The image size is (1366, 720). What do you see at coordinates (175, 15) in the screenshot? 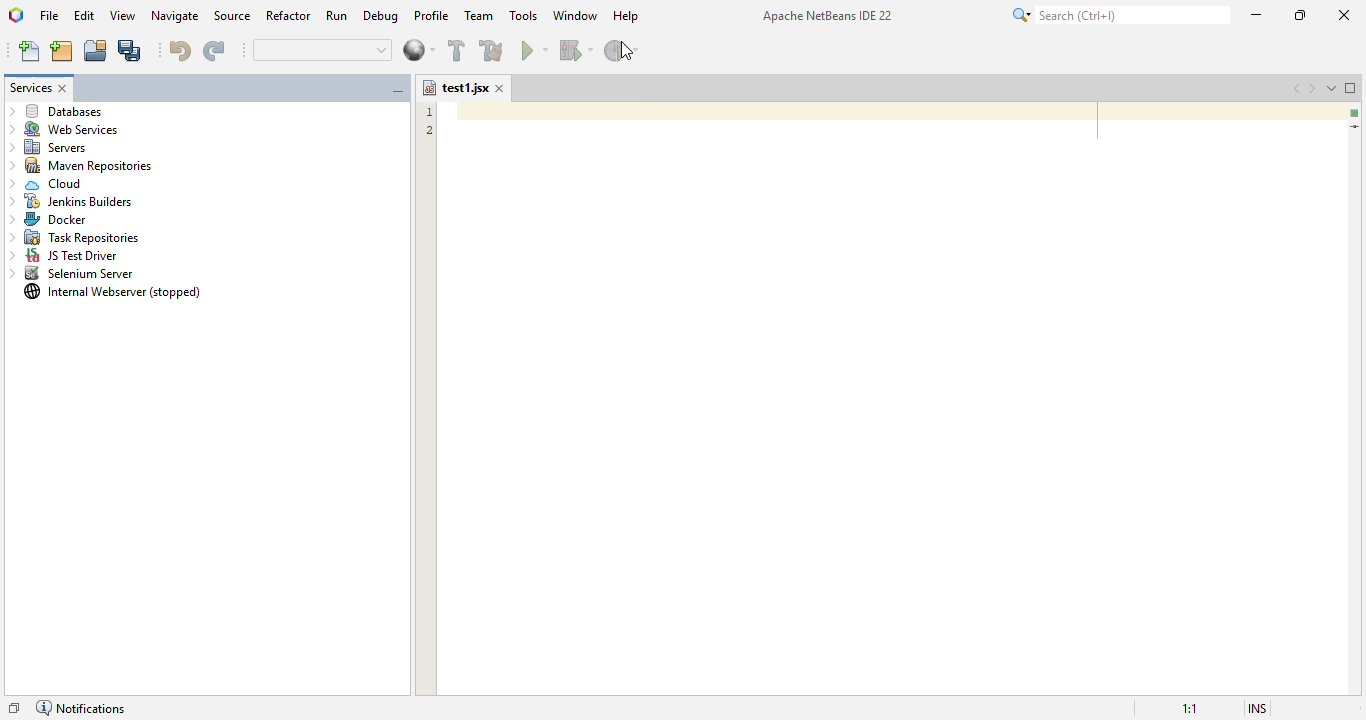
I see `navigate` at bounding box center [175, 15].